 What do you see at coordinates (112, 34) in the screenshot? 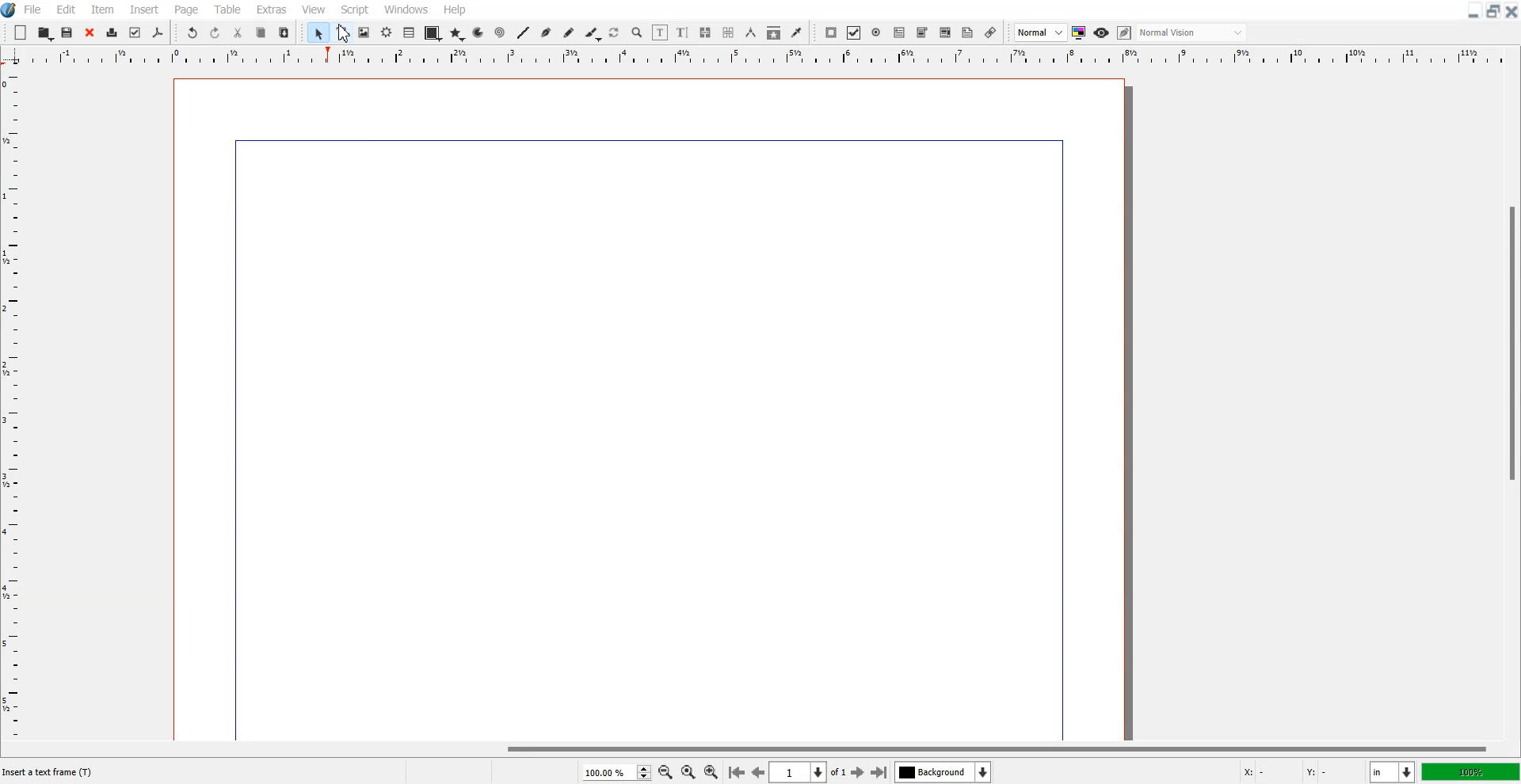
I see `Print` at bounding box center [112, 34].